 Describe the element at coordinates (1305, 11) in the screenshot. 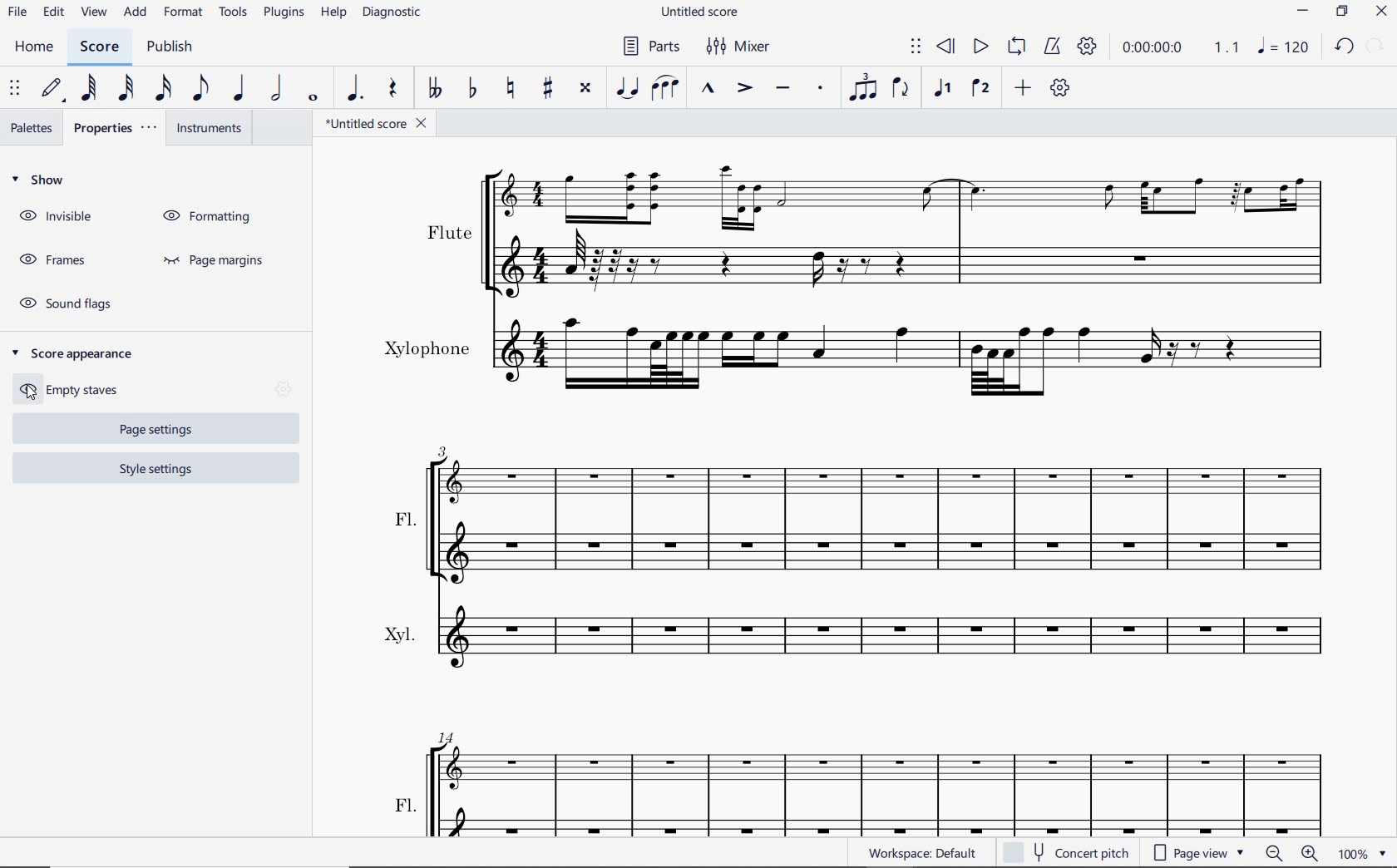

I see `MINIMIZE` at that location.